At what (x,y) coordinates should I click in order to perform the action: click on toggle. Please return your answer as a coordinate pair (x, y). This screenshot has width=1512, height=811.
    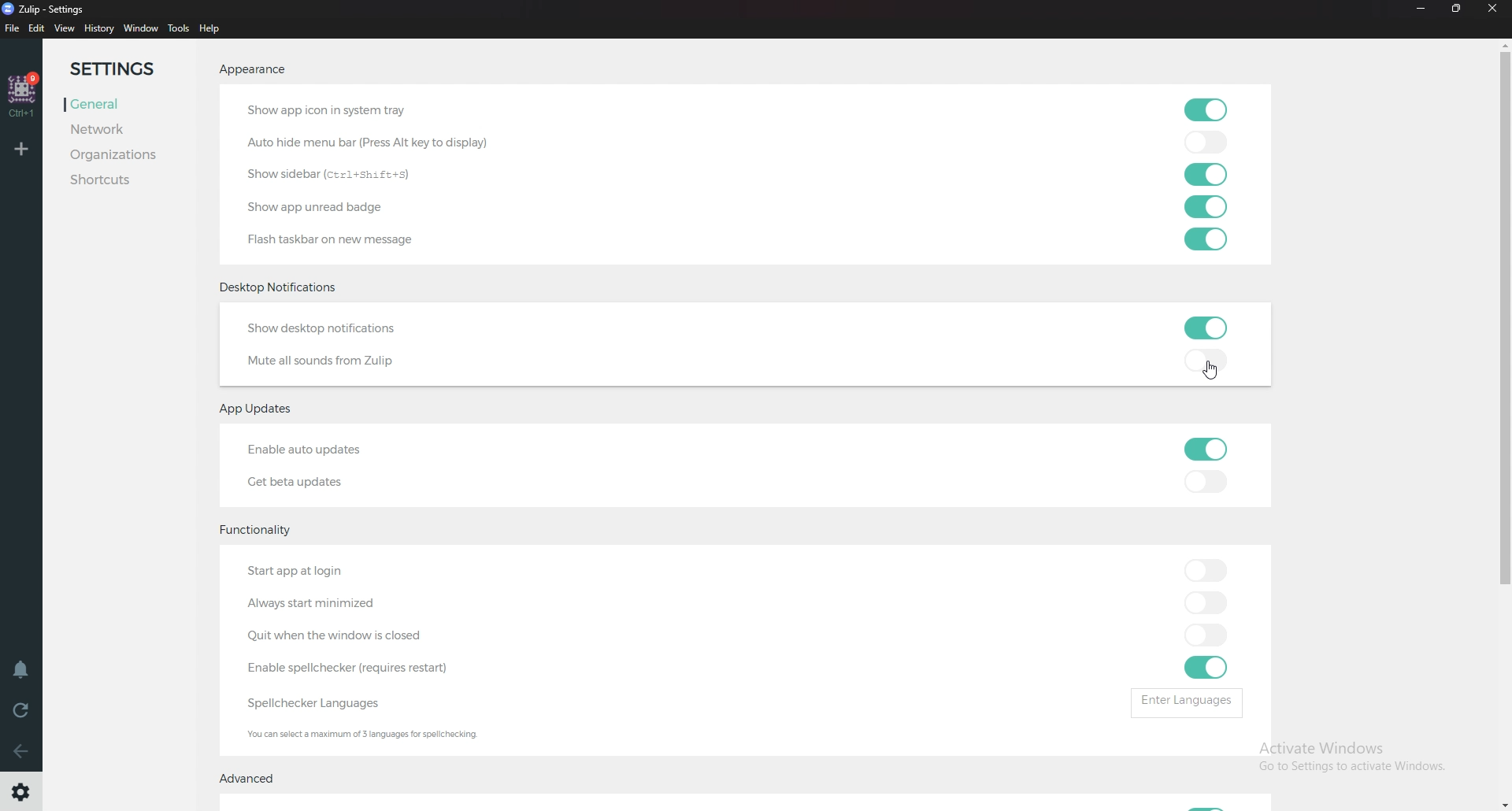
    Looking at the image, I should click on (1206, 637).